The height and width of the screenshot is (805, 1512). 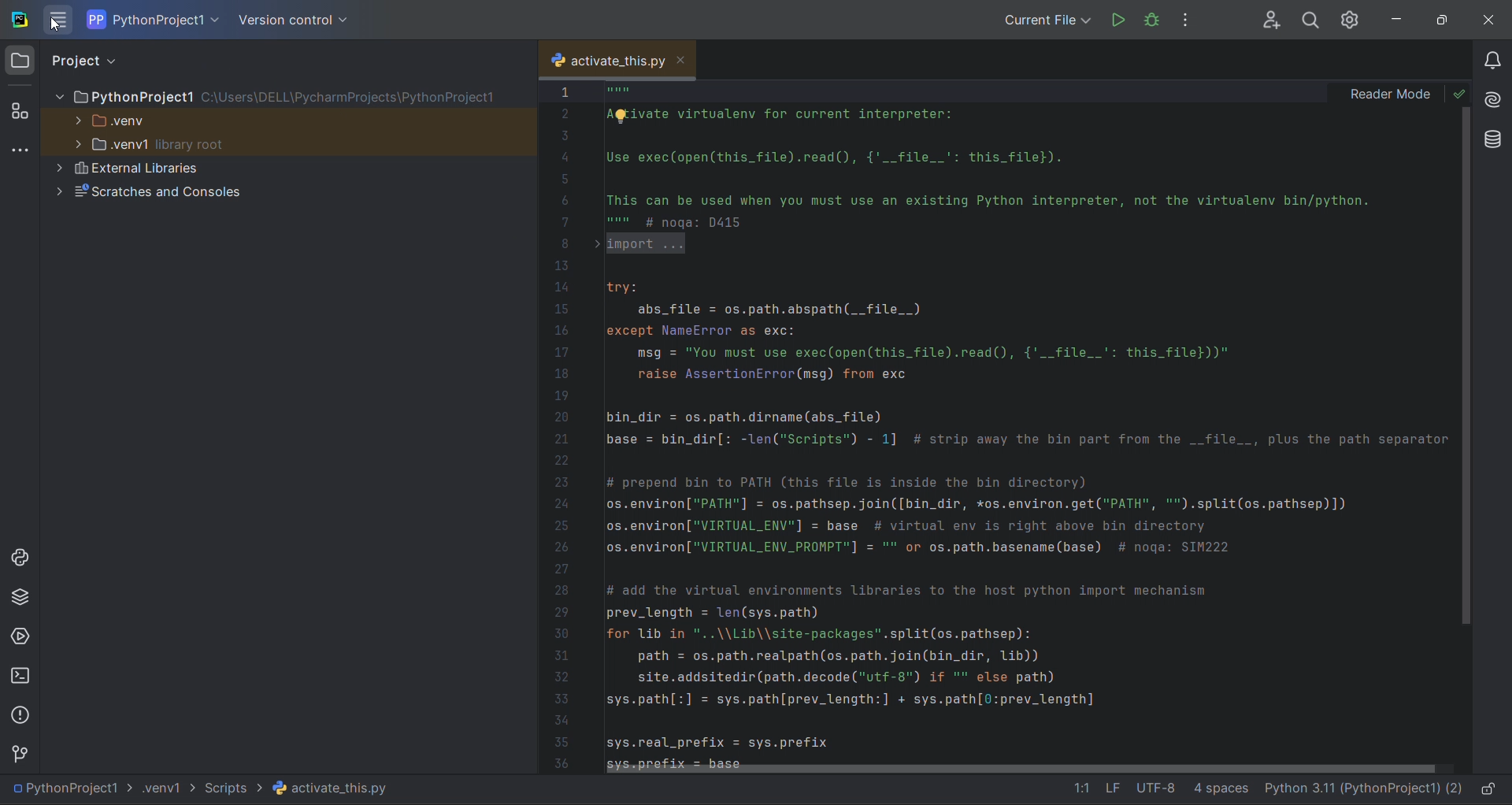 What do you see at coordinates (22, 64) in the screenshot?
I see `project window` at bounding box center [22, 64].